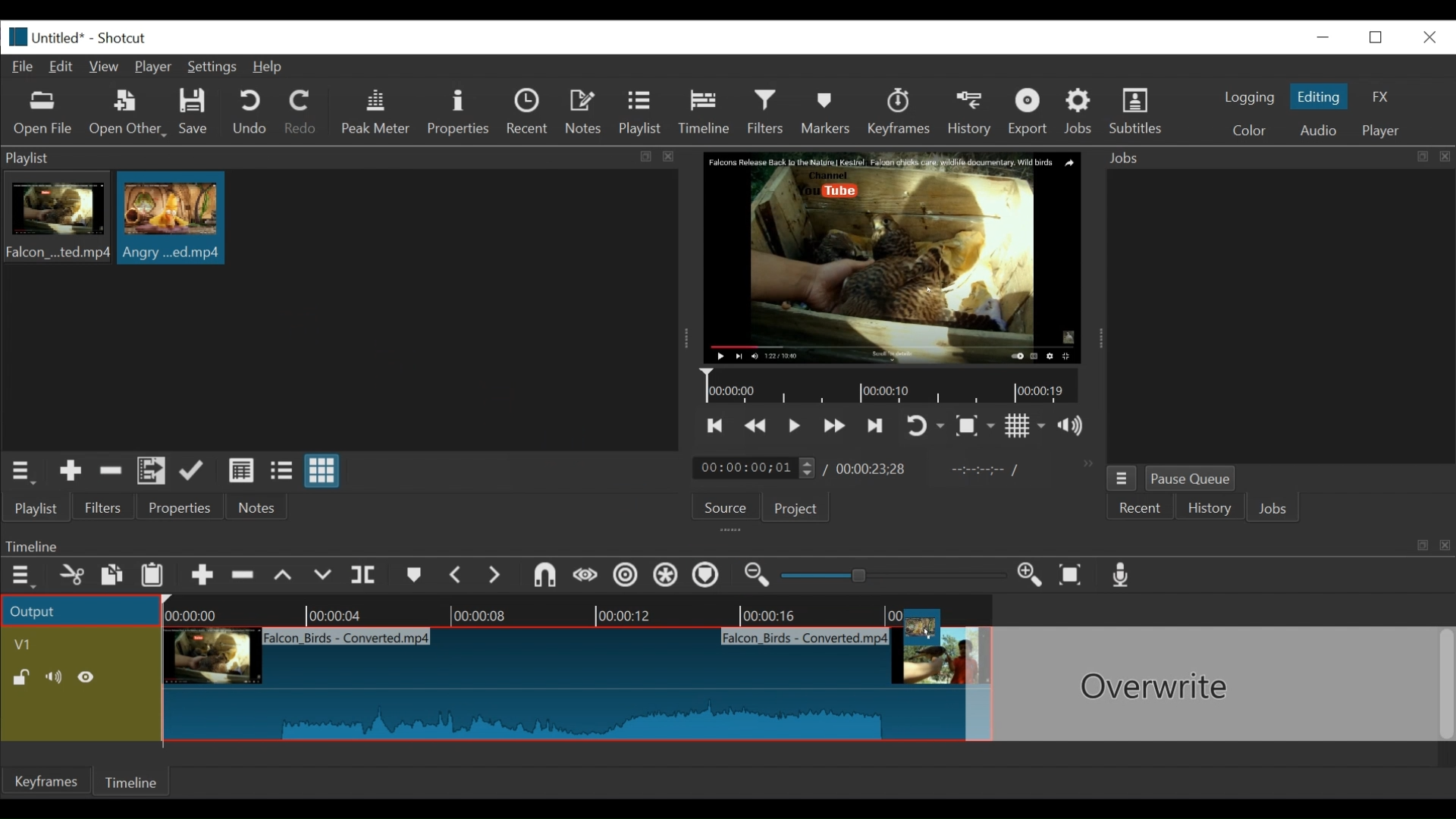 The image size is (1456, 819). What do you see at coordinates (21, 677) in the screenshot?
I see `(un)lock track` at bounding box center [21, 677].